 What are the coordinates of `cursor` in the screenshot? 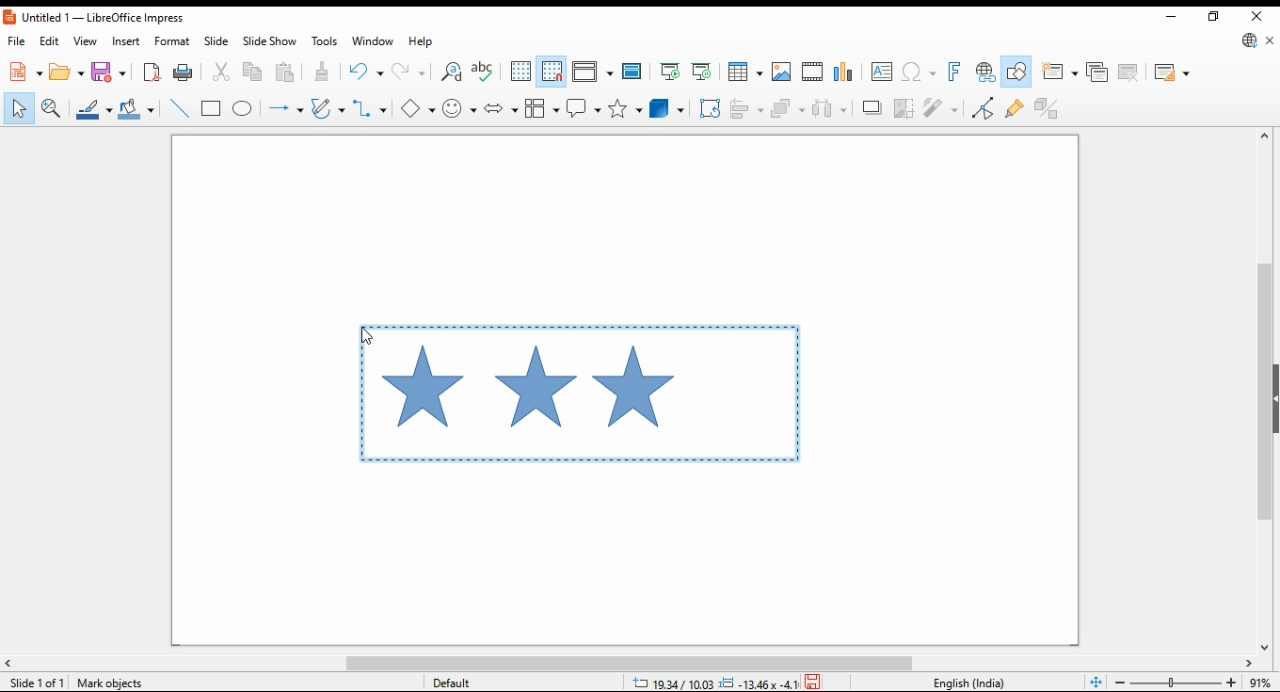 It's located at (369, 337).